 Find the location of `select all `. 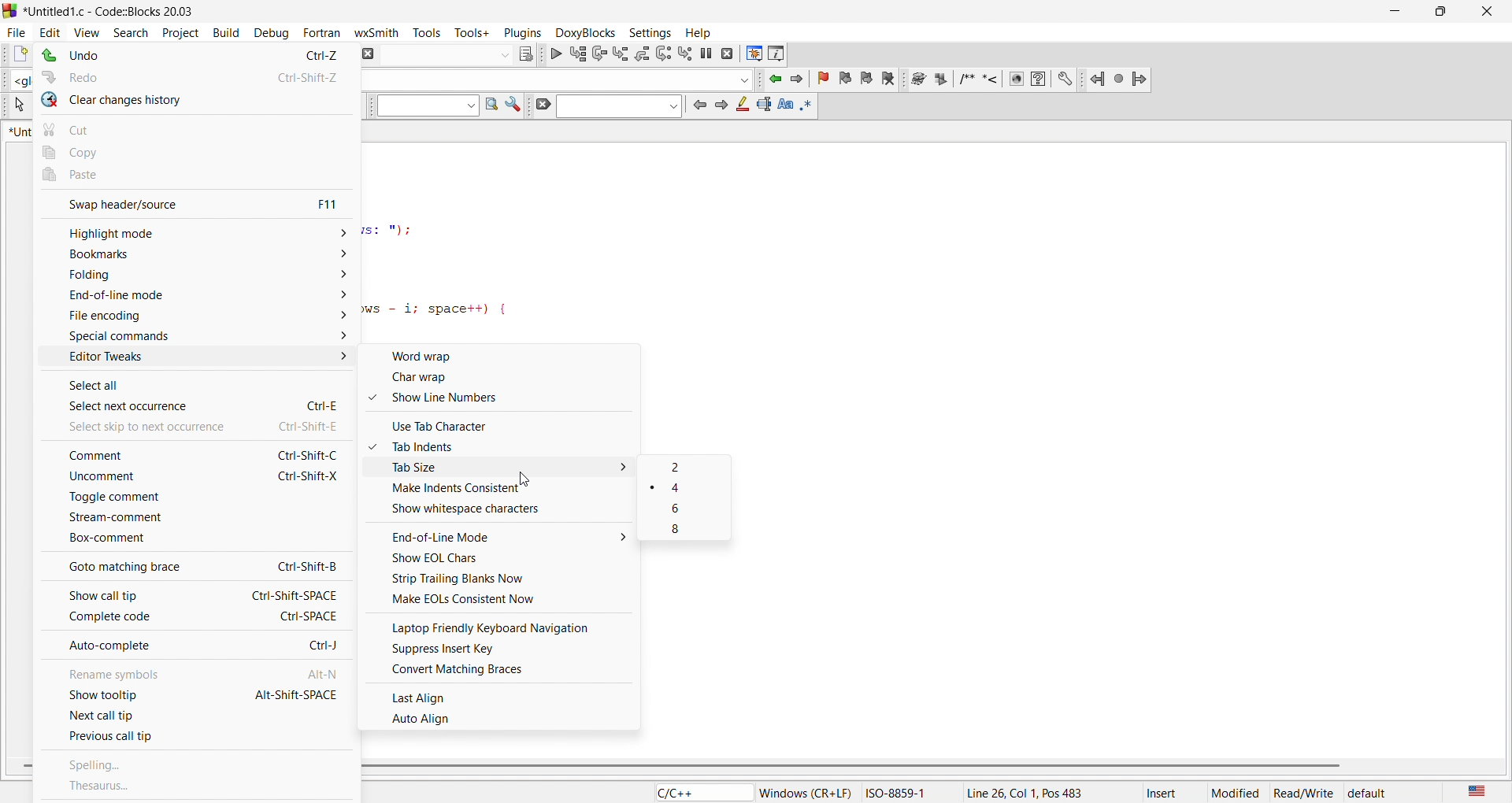

select all  is located at coordinates (132, 387).